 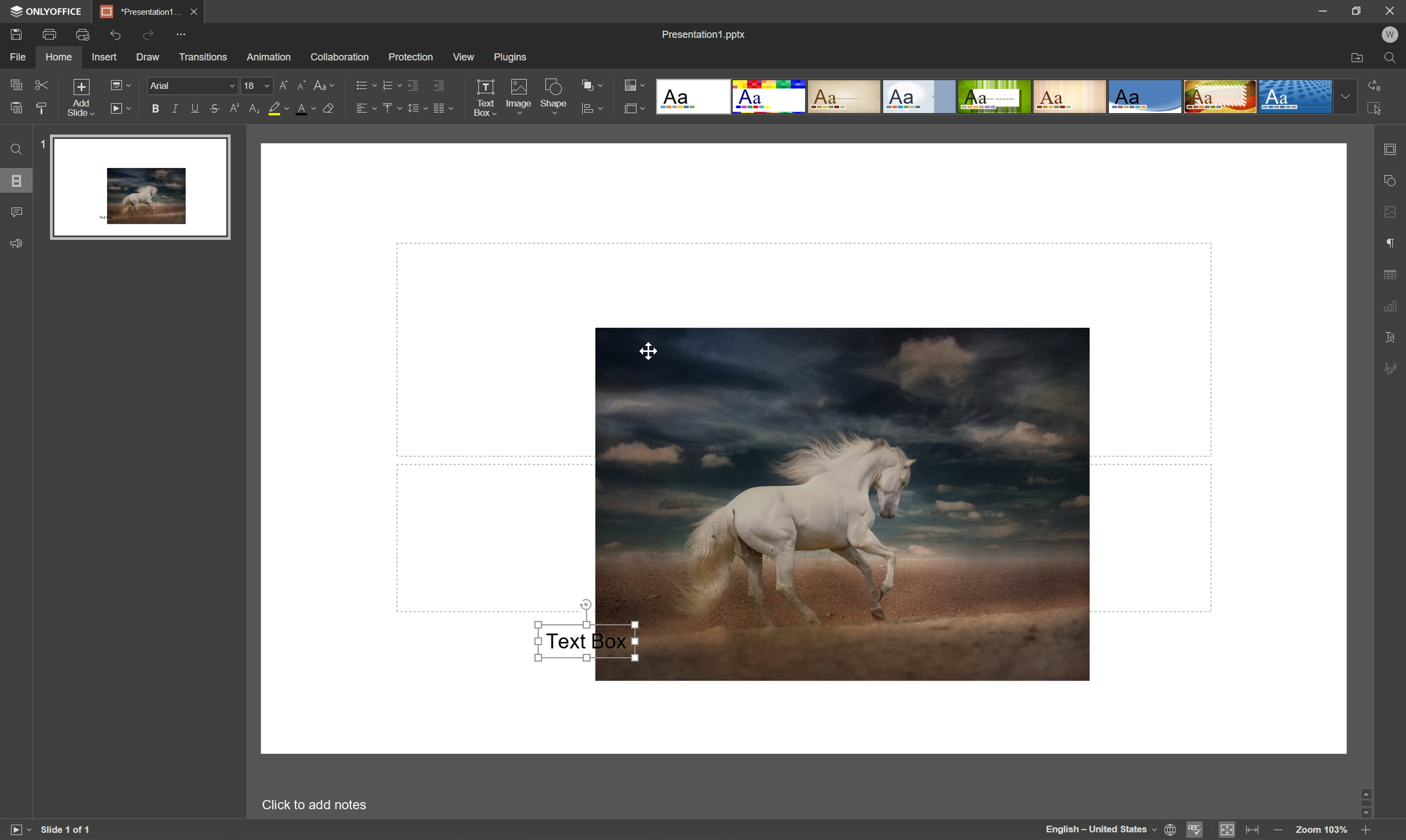 What do you see at coordinates (17, 150) in the screenshot?
I see `Find` at bounding box center [17, 150].